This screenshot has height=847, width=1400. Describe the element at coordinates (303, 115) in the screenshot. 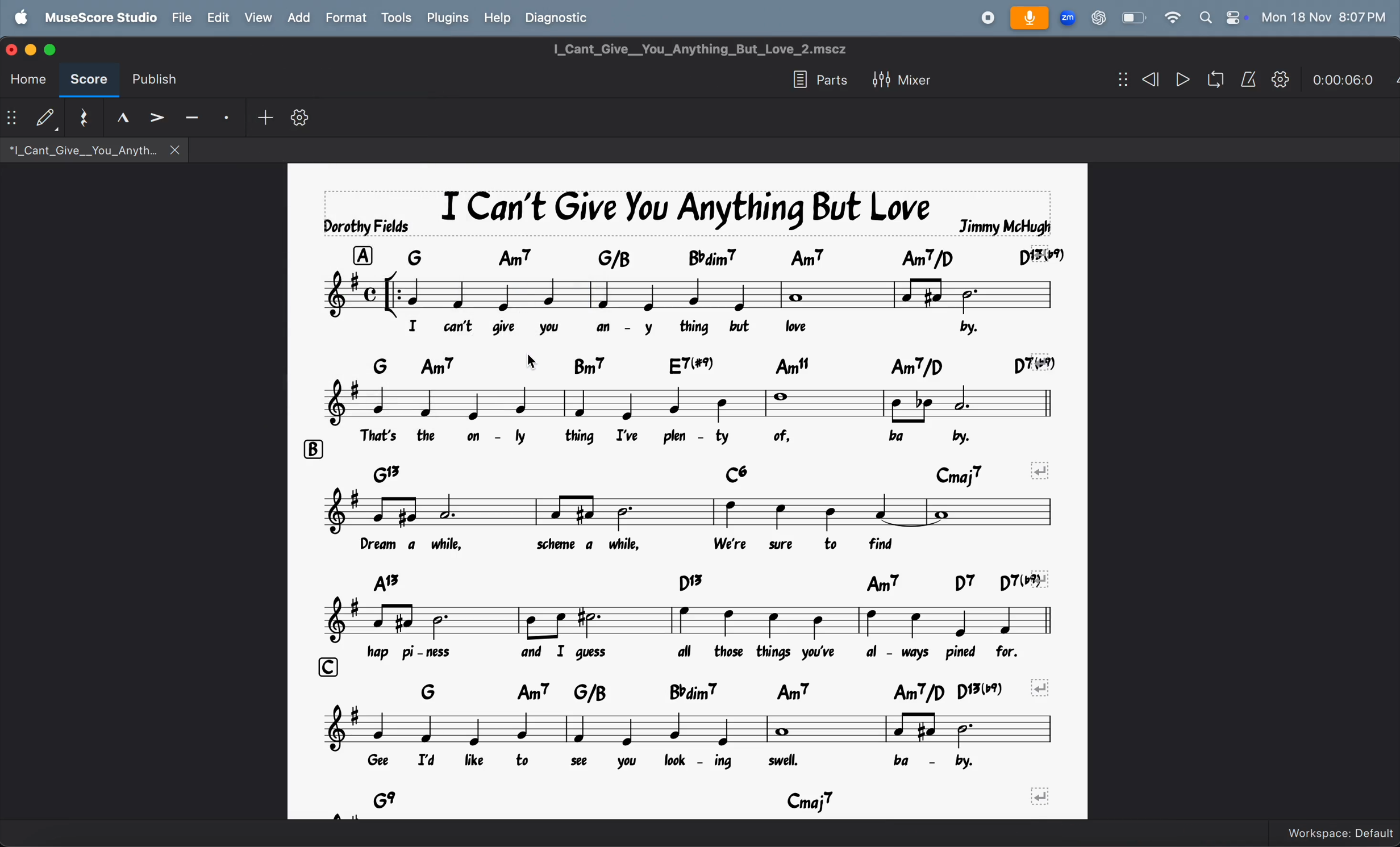

I see `settings toolbar` at that location.